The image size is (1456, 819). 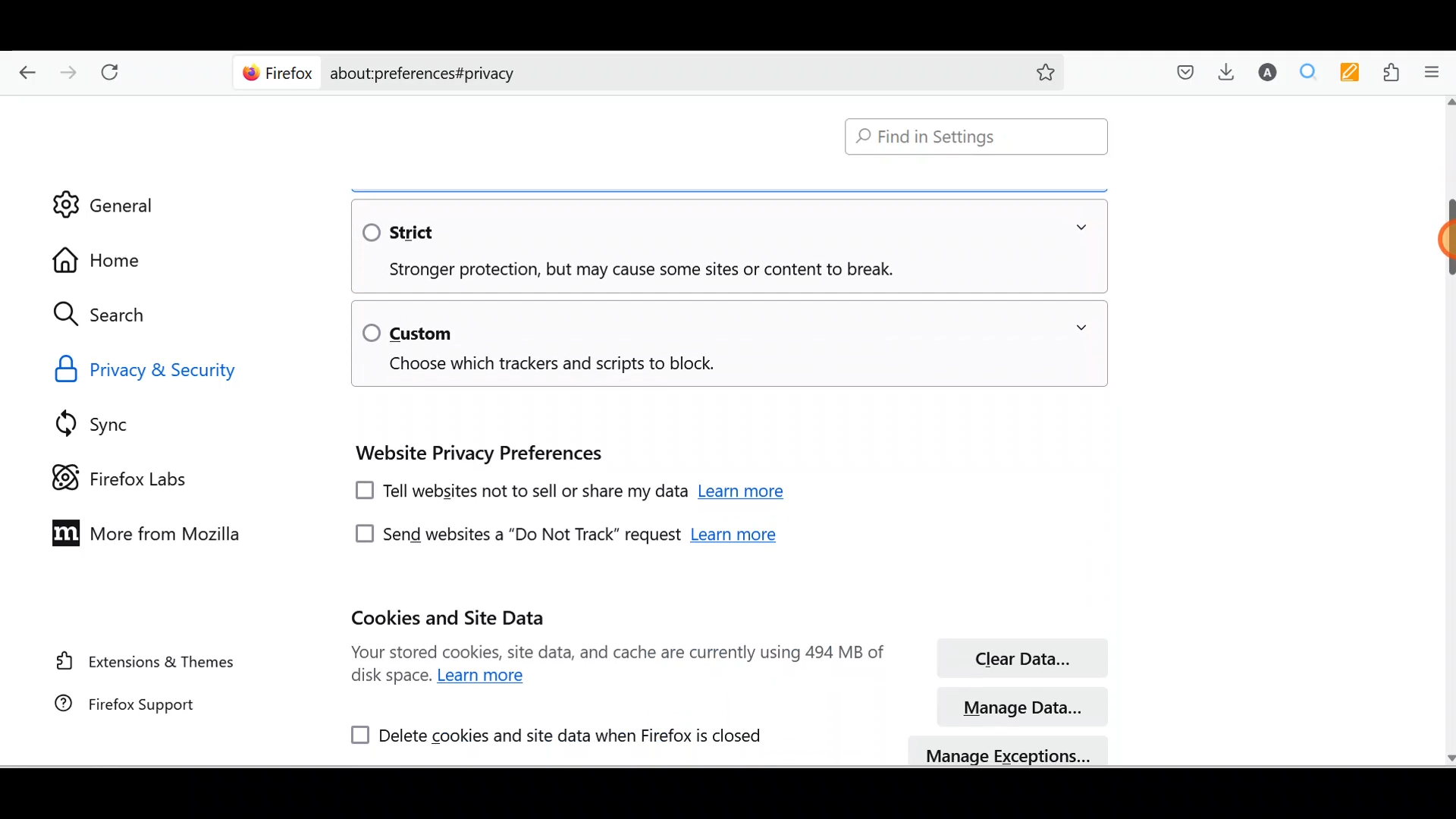 What do you see at coordinates (1025, 706) in the screenshot?
I see `Manage data` at bounding box center [1025, 706].